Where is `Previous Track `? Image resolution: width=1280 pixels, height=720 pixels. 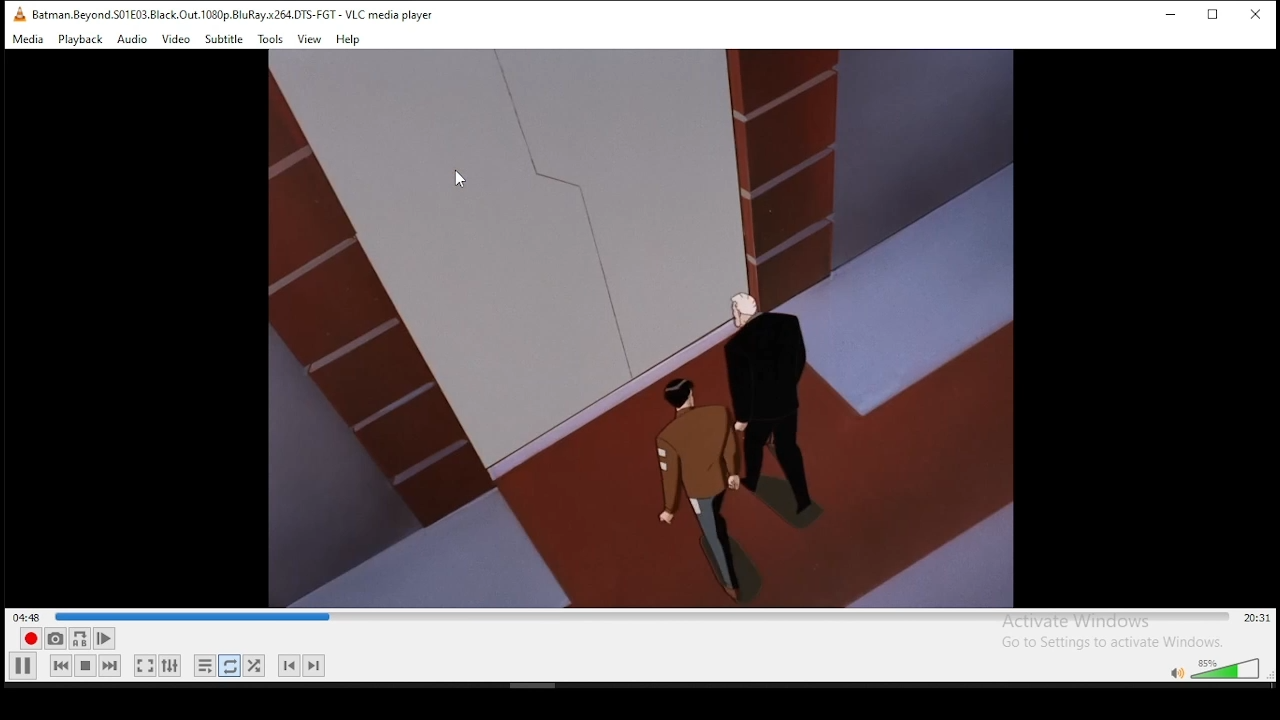 Previous Track  is located at coordinates (288, 665).